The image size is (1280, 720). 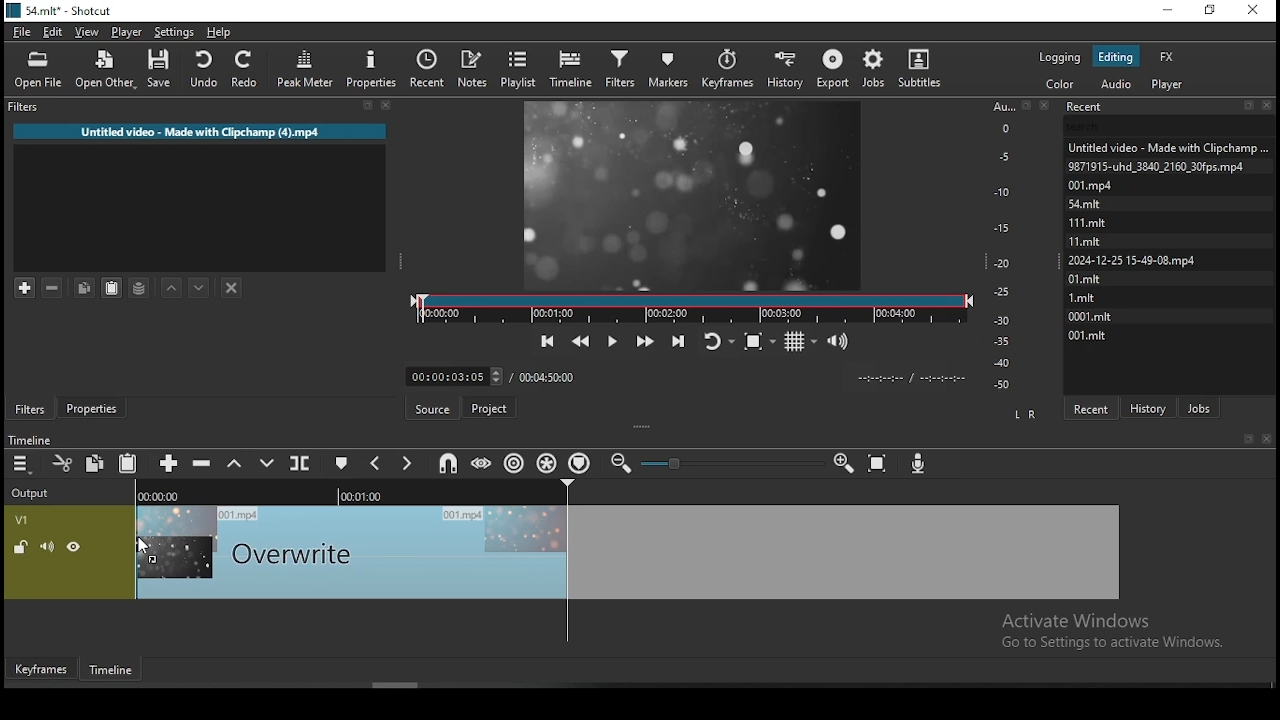 I want to click on zoom timeline in, so click(x=623, y=464).